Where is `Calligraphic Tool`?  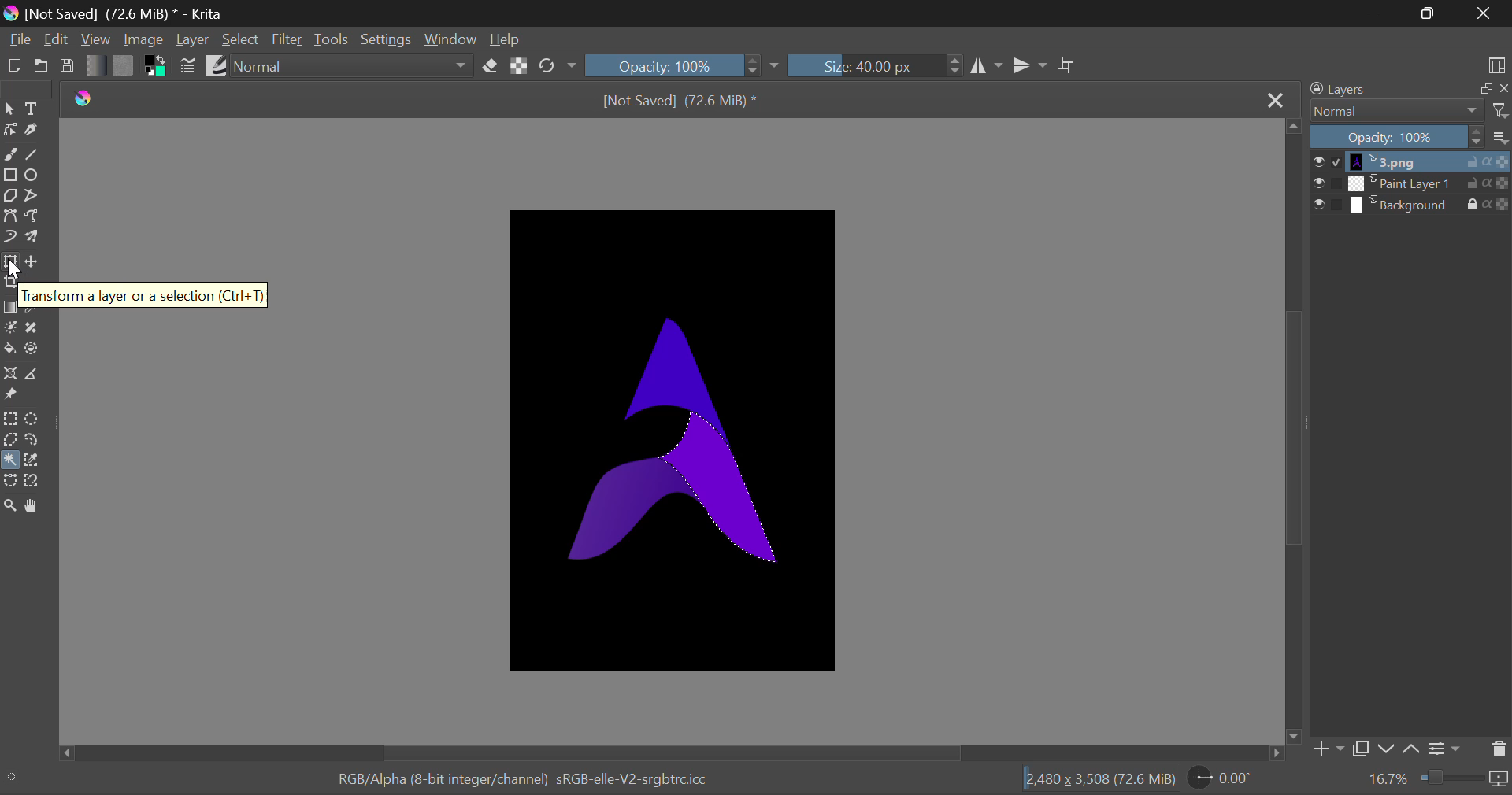 Calligraphic Tool is located at coordinates (35, 134).